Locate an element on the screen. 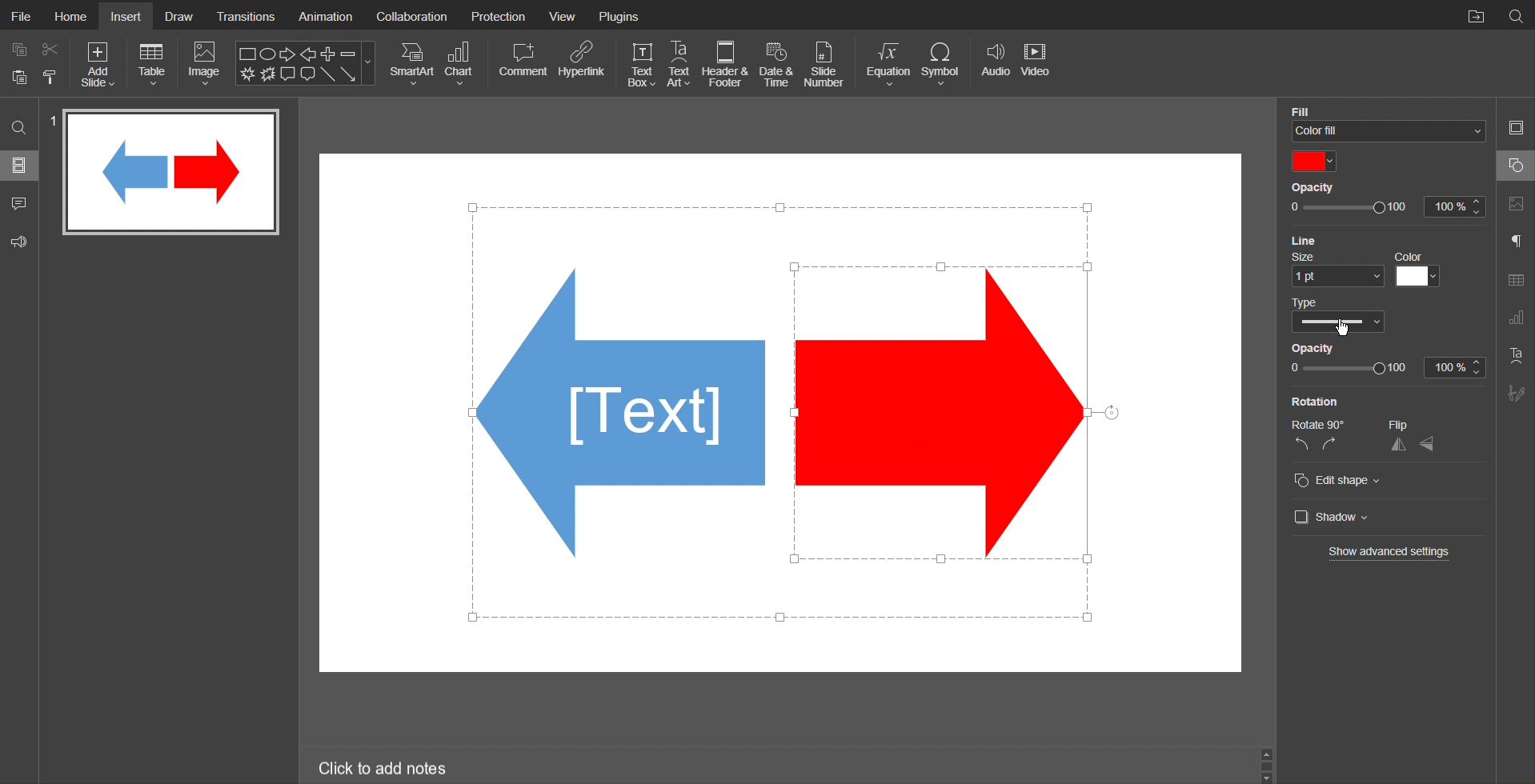 This screenshot has height=784, width=1535. Chart is located at coordinates (463, 64).